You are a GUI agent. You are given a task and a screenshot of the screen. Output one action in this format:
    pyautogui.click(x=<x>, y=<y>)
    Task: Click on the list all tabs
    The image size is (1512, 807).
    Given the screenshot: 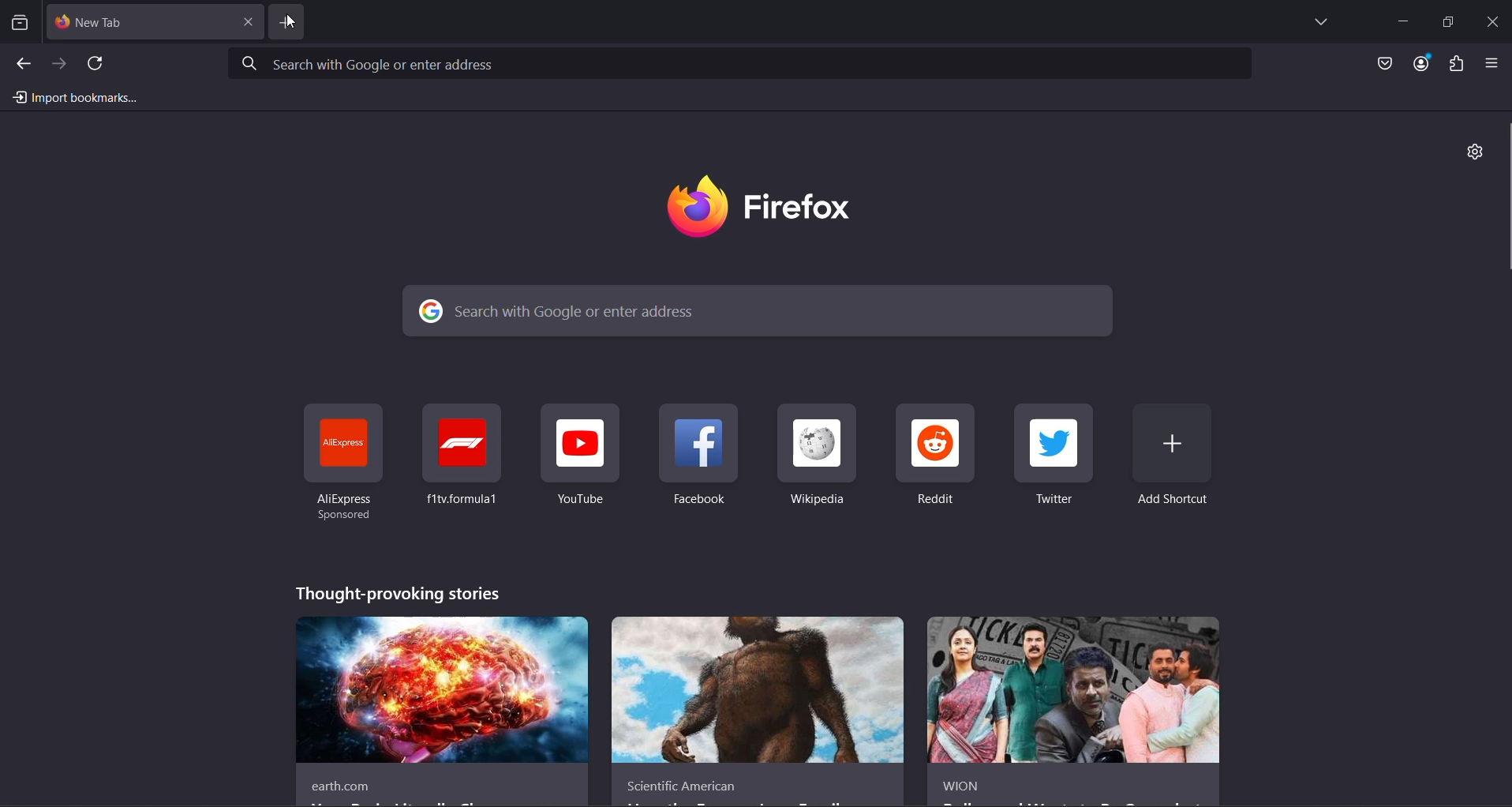 What is the action you would take?
    pyautogui.click(x=1316, y=24)
    